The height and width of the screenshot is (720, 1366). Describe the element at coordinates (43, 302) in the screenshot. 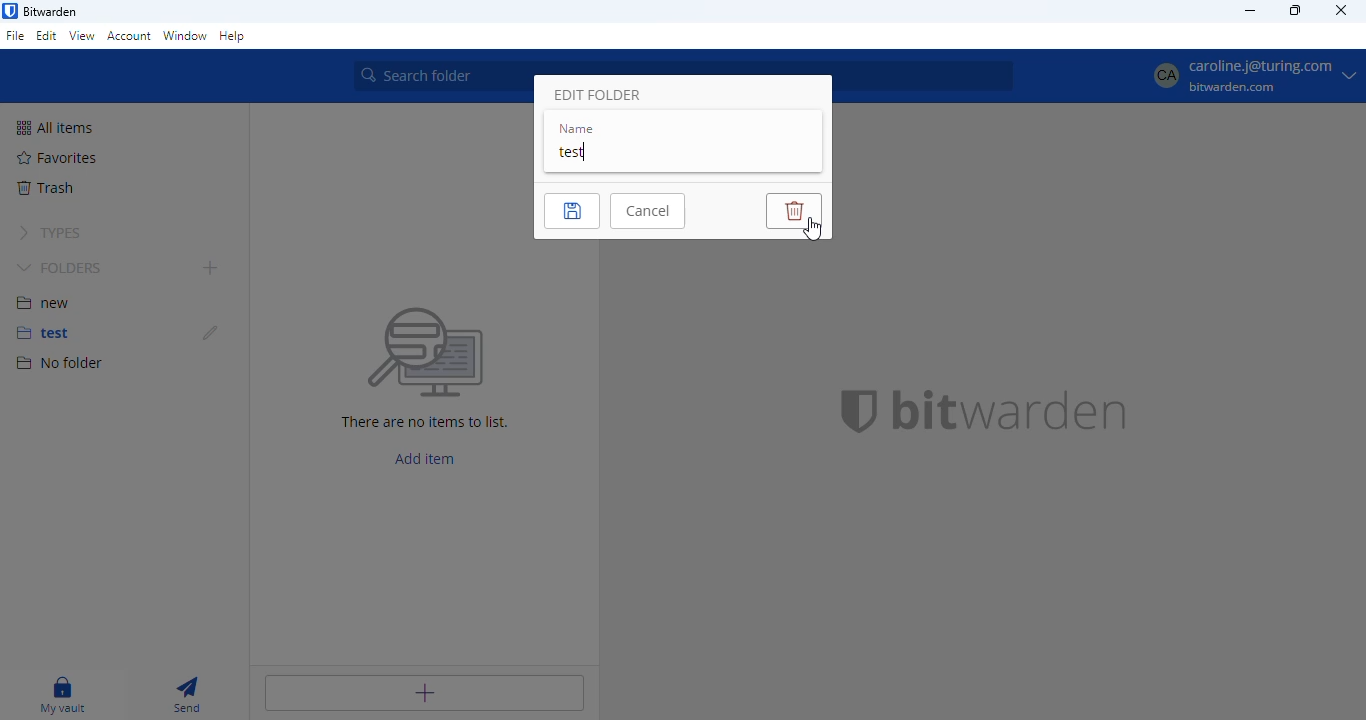

I see `new` at that location.